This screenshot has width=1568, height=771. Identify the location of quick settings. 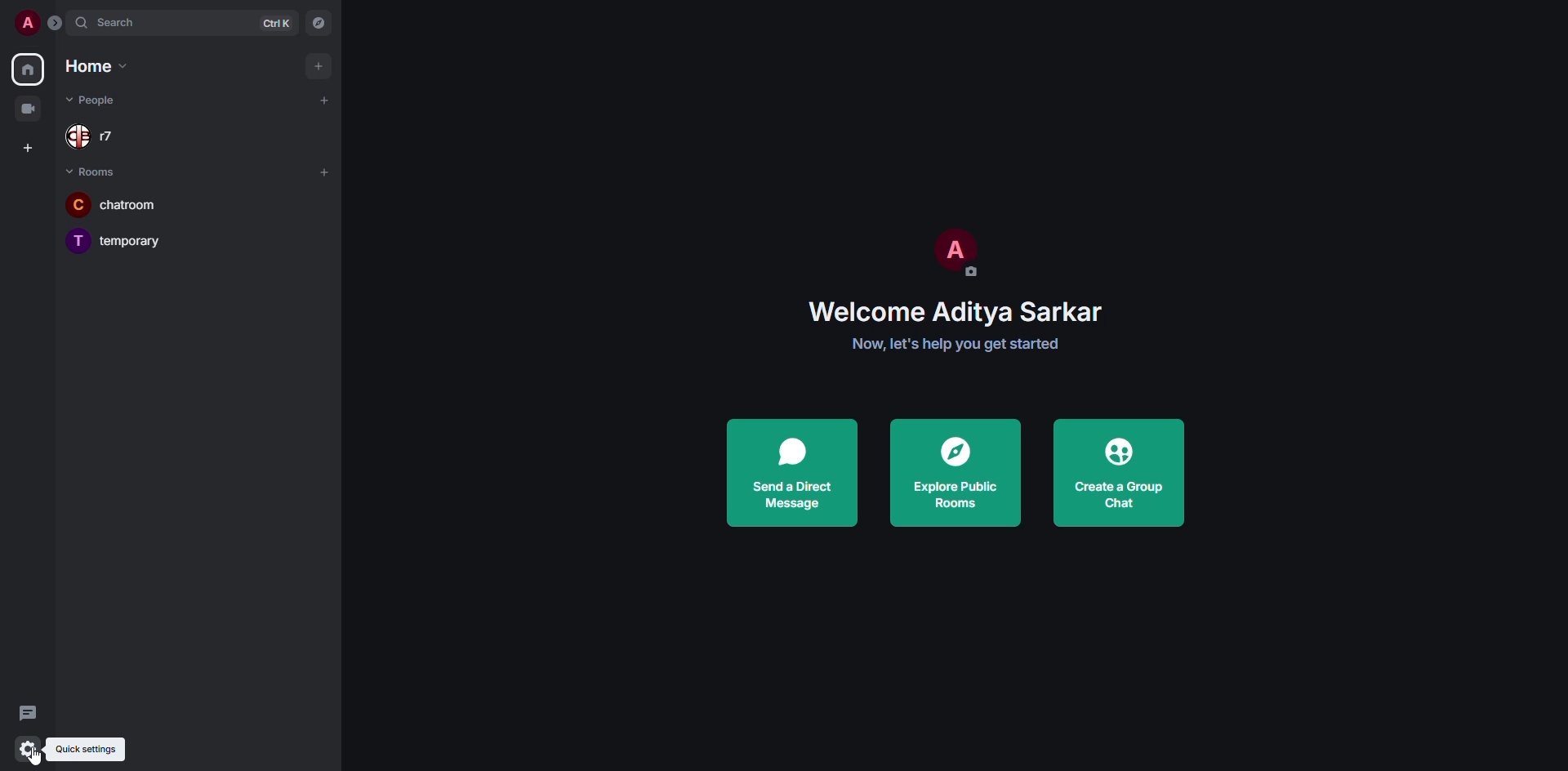
(32, 753).